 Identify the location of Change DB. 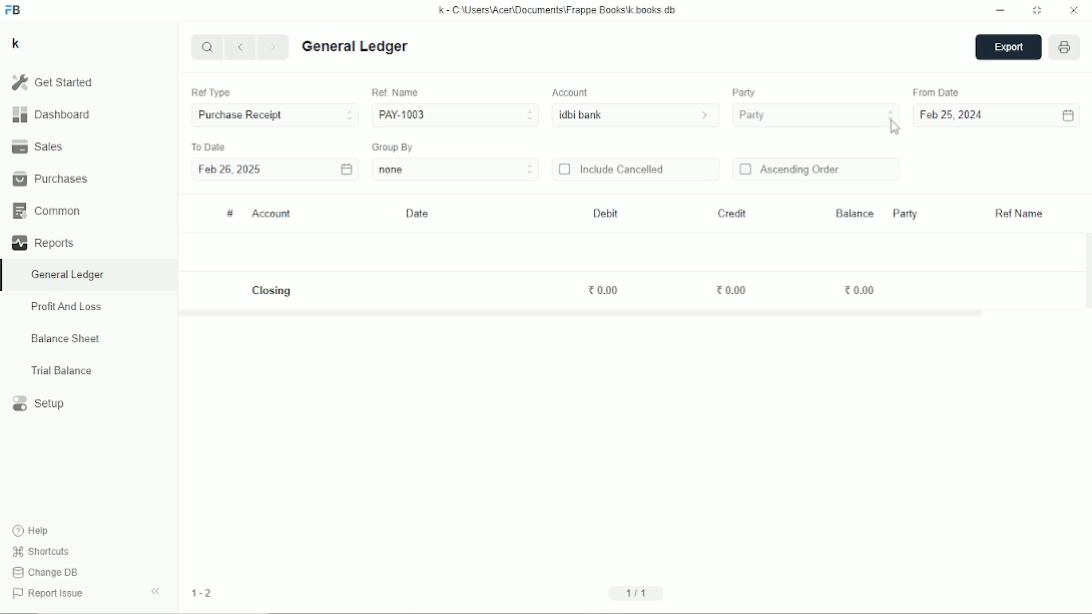
(46, 572).